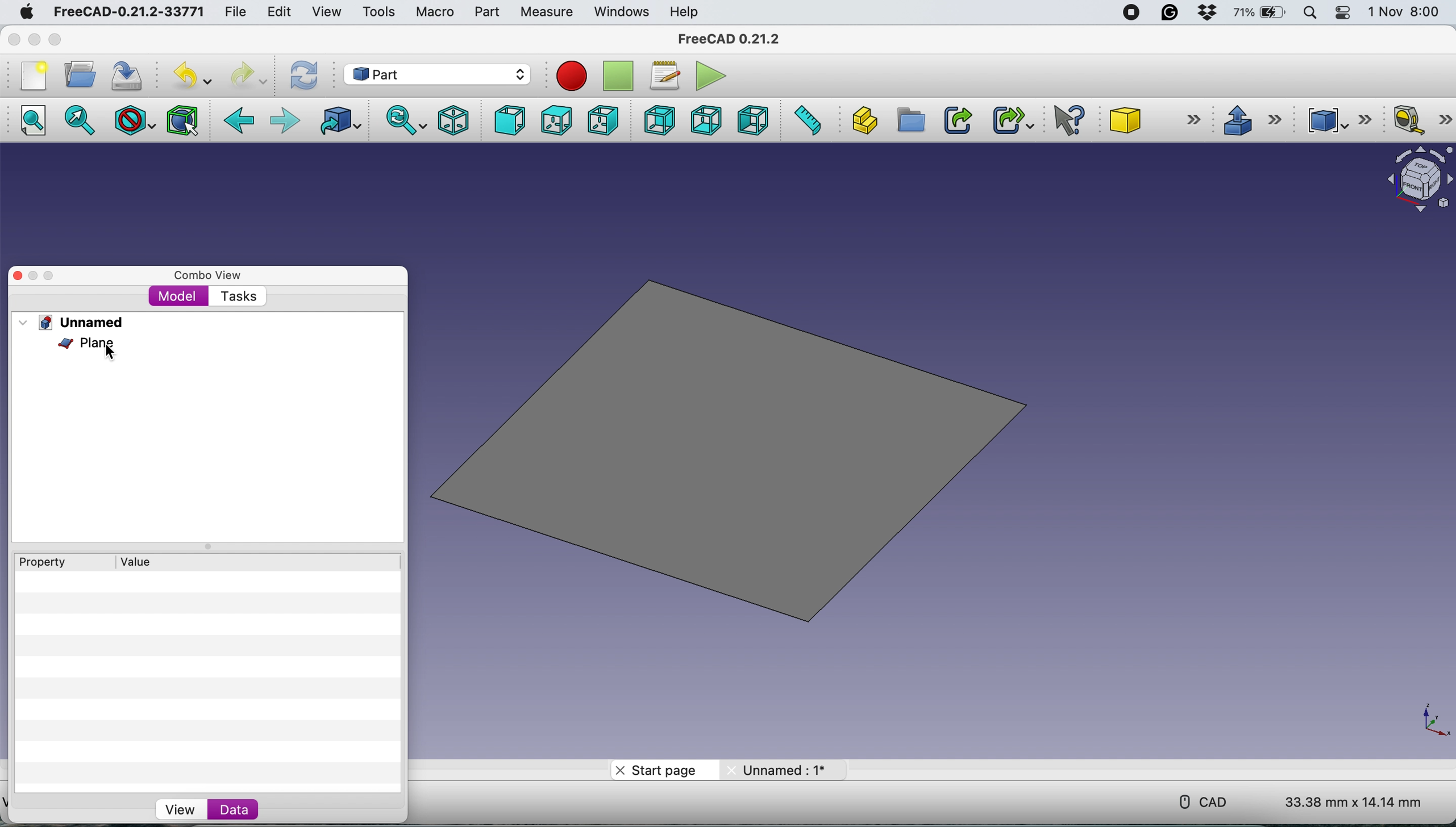 Image resolution: width=1456 pixels, height=827 pixels. Describe the element at coordinates (80, 343) in the screenshot. I see `plane` at that location.